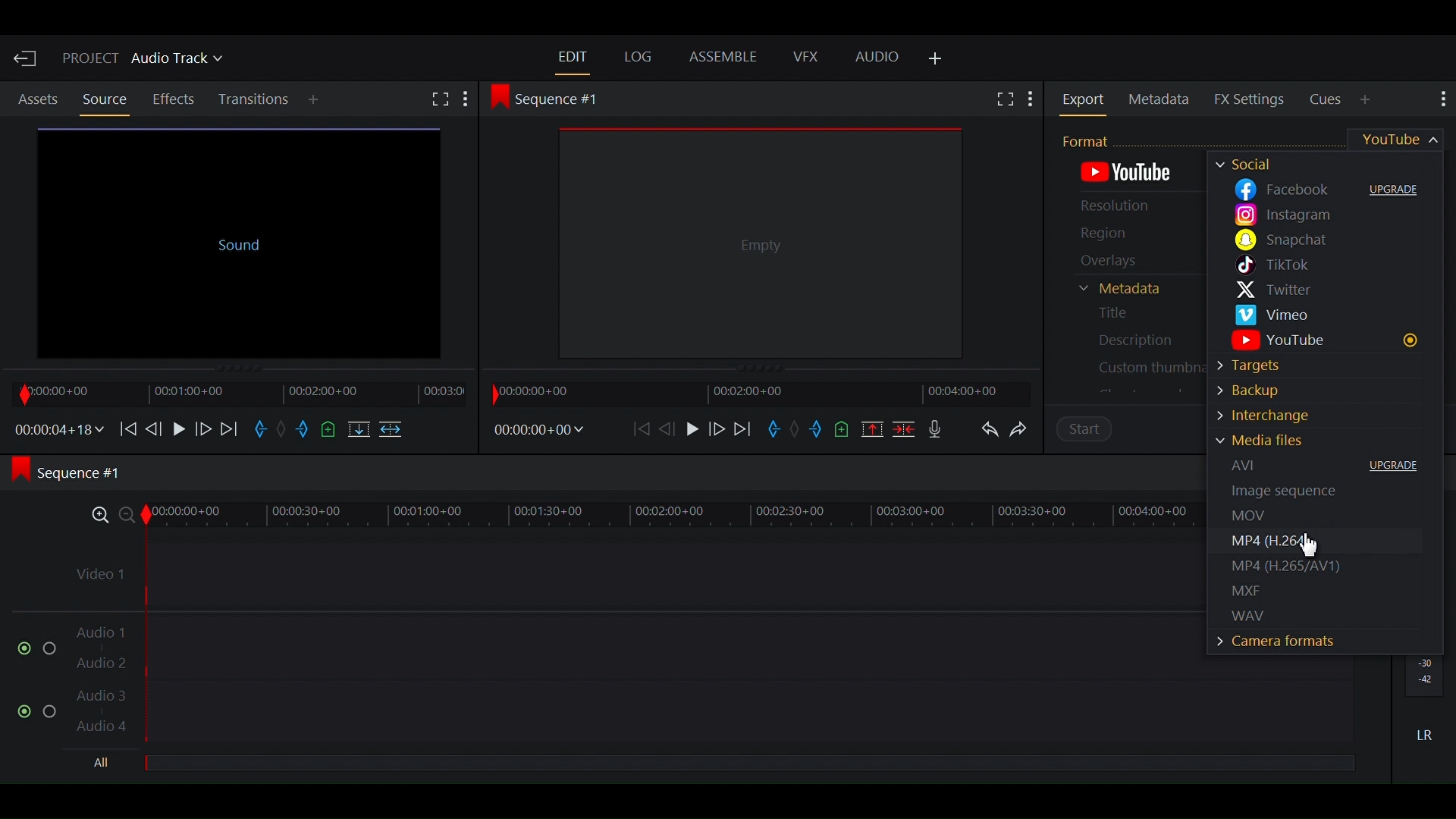  What do you see at coordinates (330, 430) in the screenshot?
I see `Add a cue` at bounding box center [330, 430].